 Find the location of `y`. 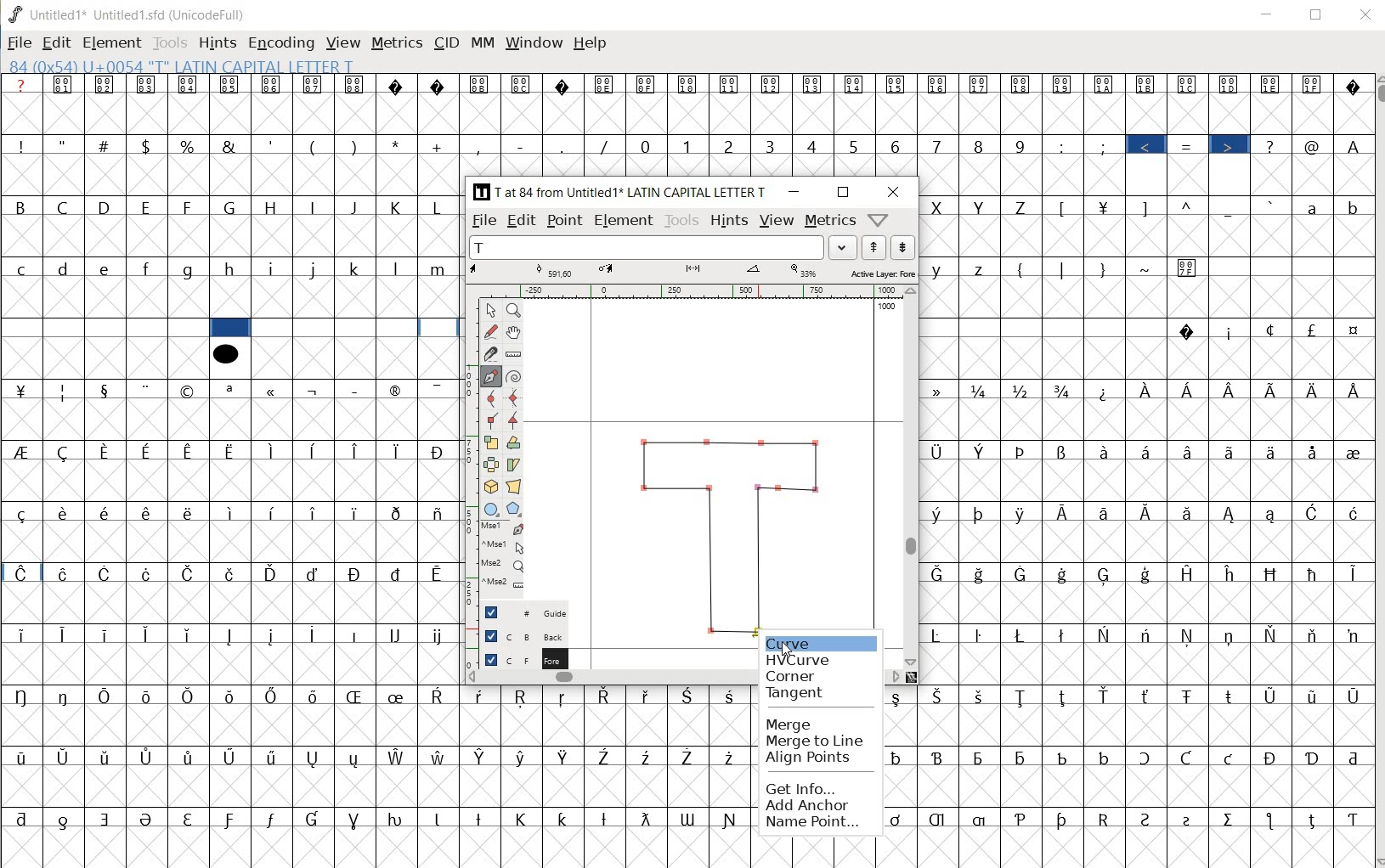

y is located at coordinates (941, 270).